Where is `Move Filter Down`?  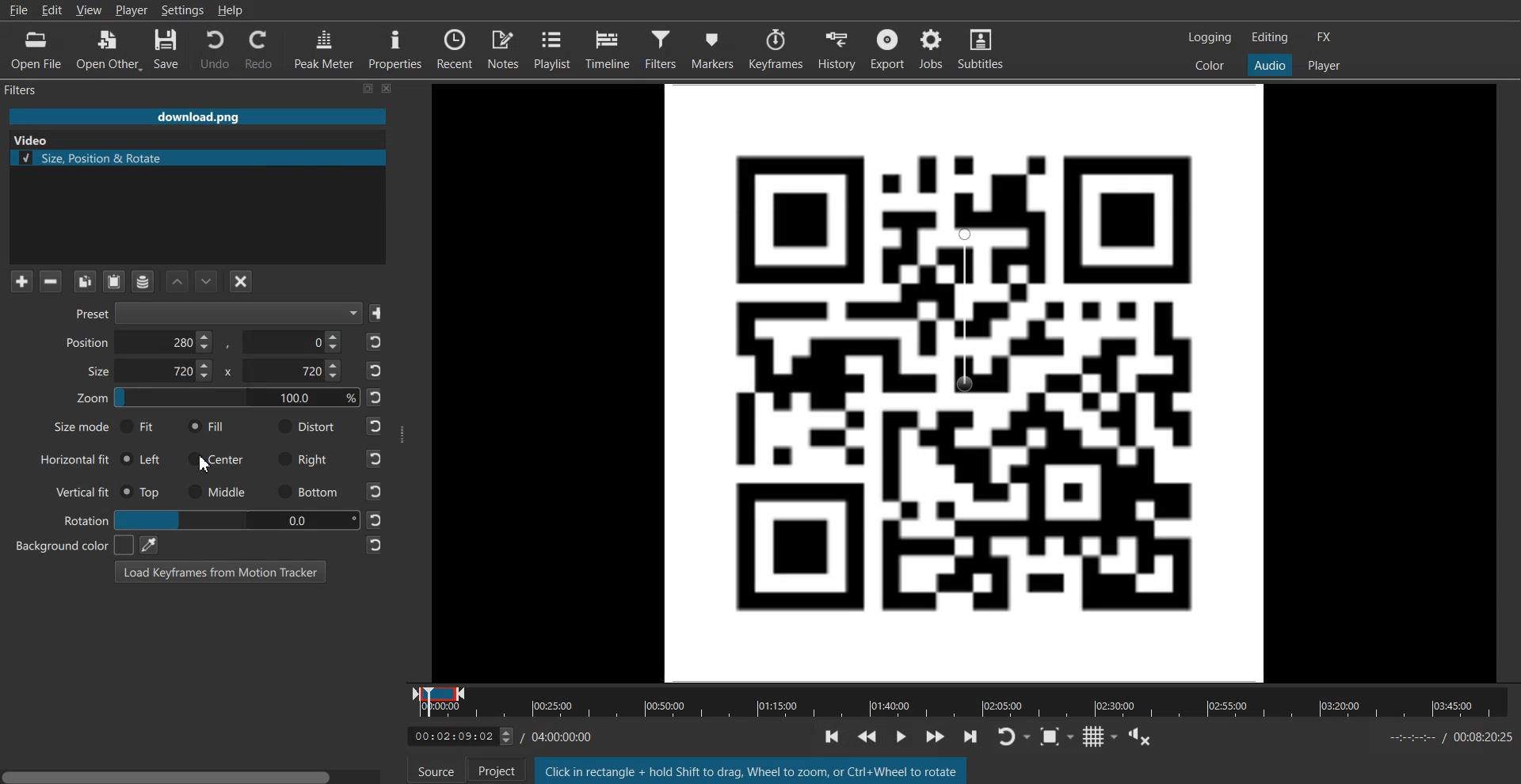 Move Filter Down is located at coordinates (207, 281).